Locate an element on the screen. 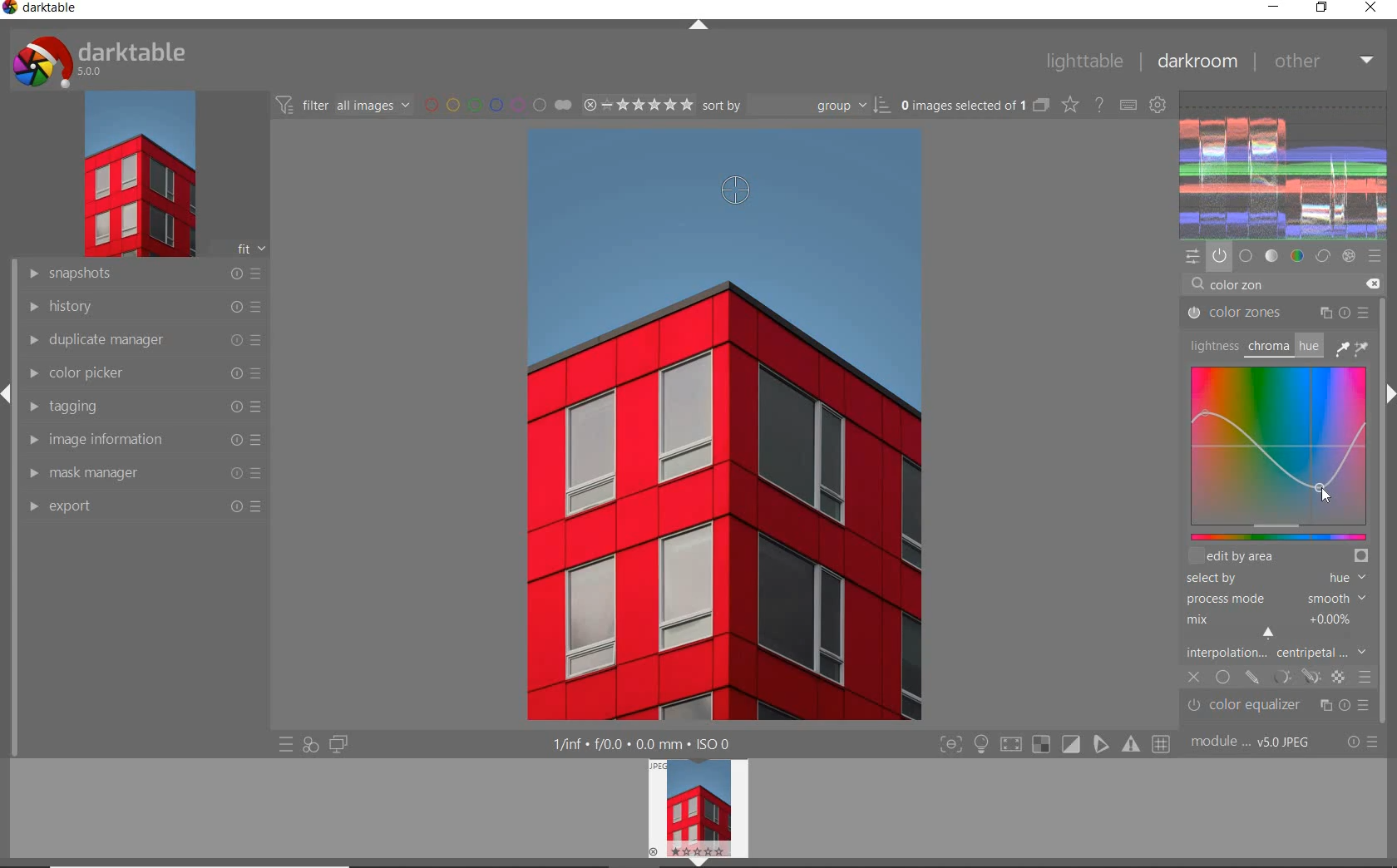 The image size is (1397, 868). module order is located at coordinates (1255, 743).